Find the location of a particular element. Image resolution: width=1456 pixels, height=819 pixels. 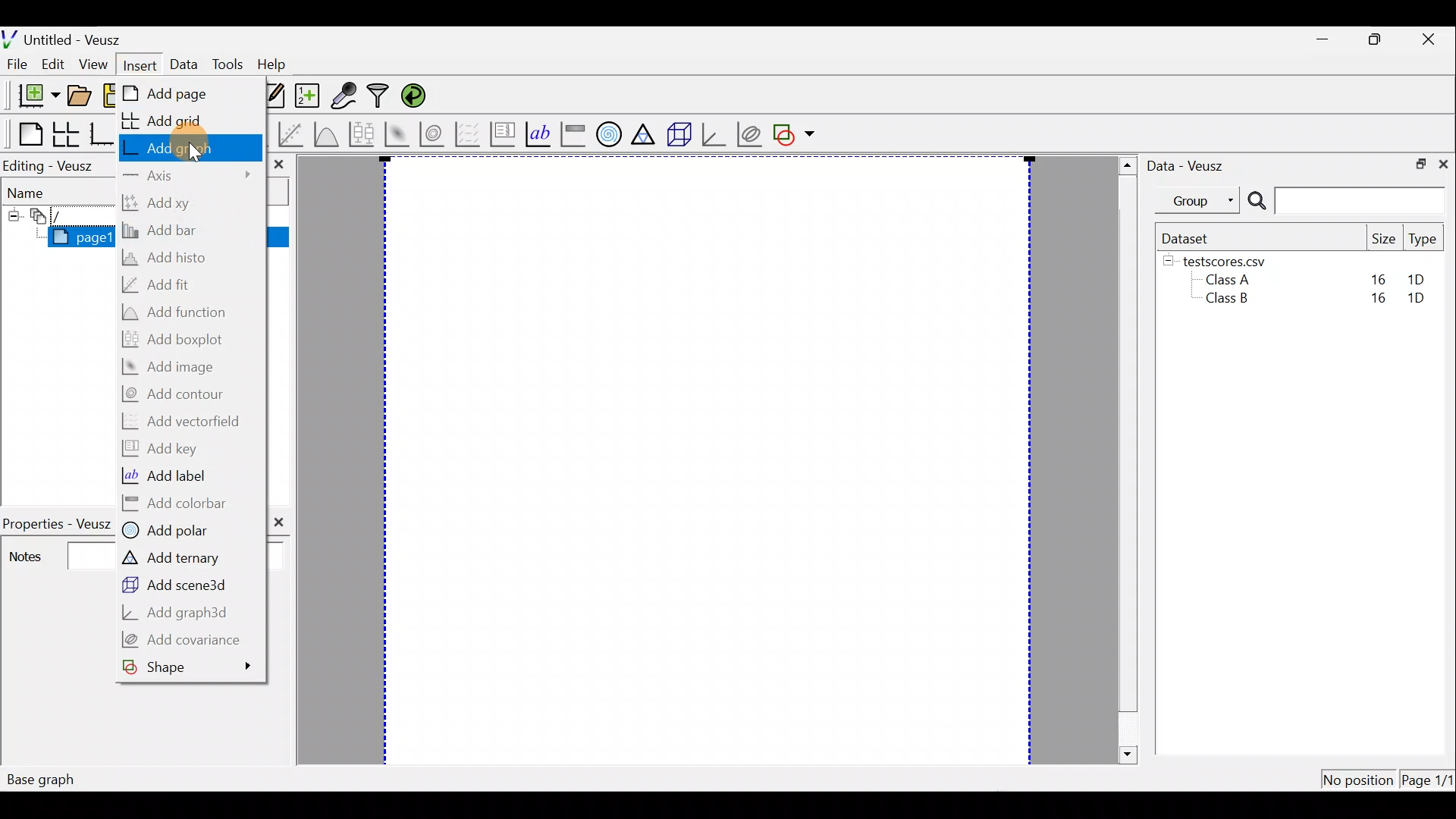

Editing - Veusz is located at coordinates (56, 165).